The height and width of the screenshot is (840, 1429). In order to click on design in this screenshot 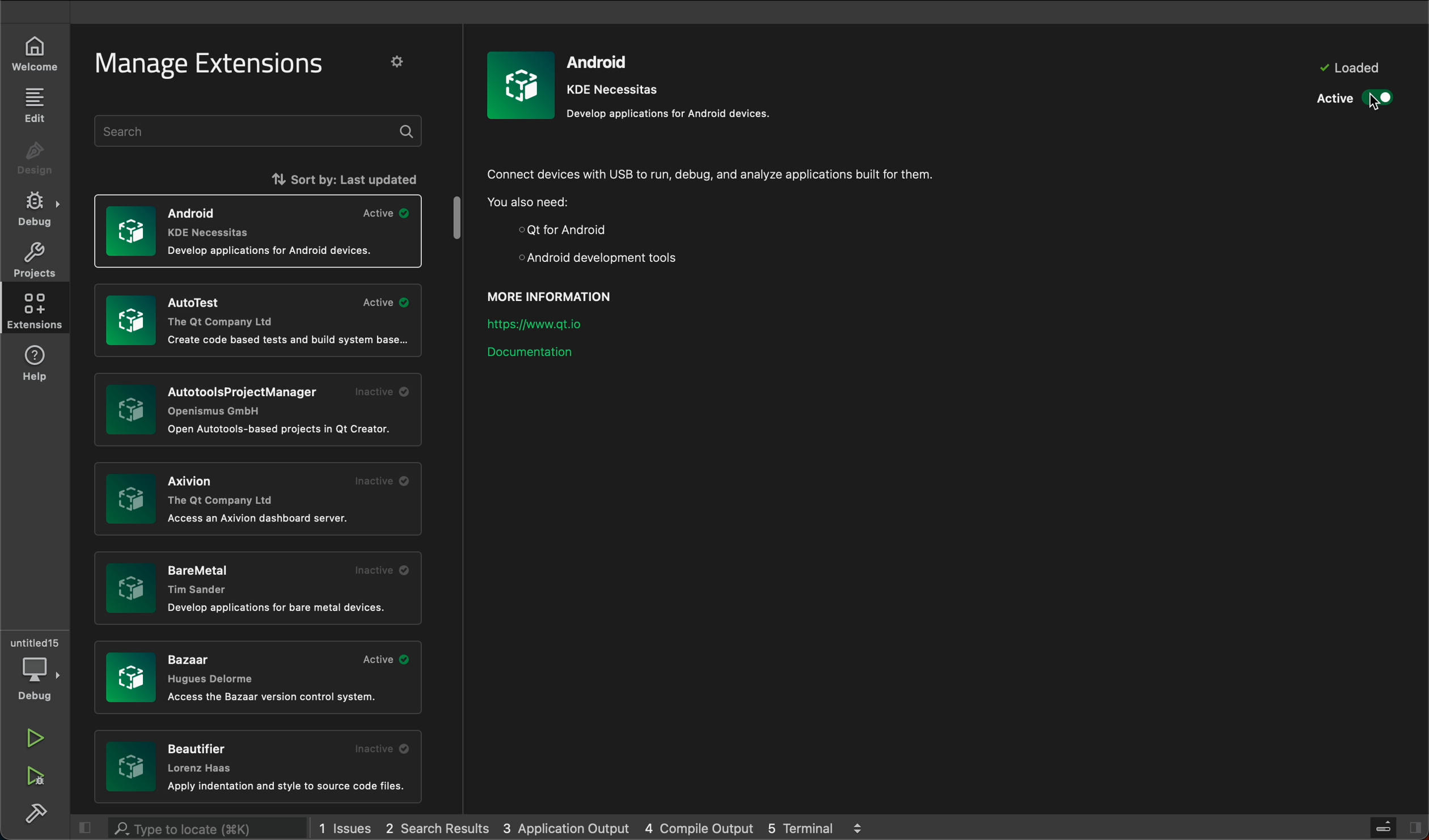, I will do `click(33, 160)`.